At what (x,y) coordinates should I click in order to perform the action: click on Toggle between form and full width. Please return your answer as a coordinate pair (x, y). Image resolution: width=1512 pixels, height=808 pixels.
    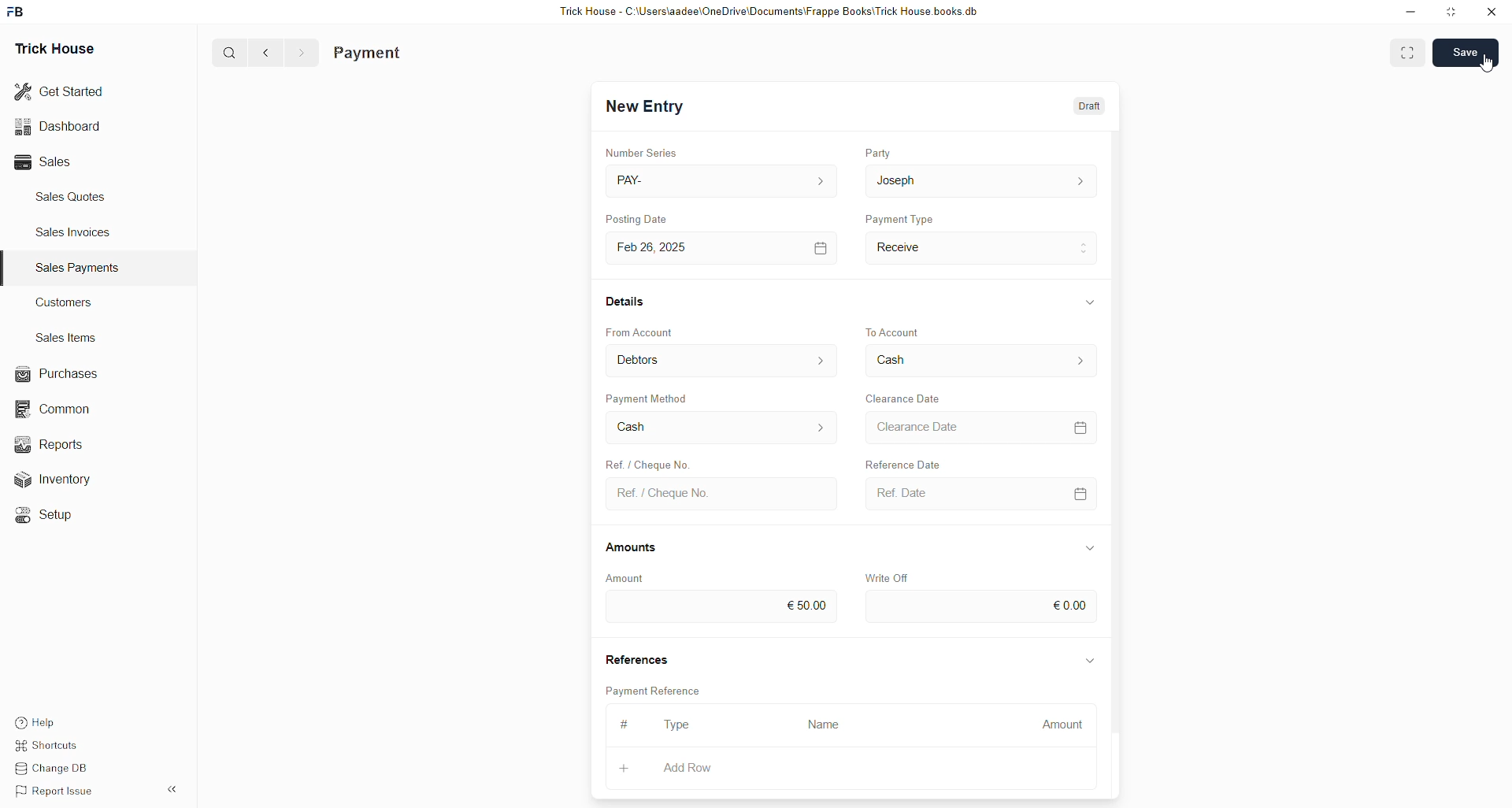
    Looking at the image, I should click on (1407, 55).